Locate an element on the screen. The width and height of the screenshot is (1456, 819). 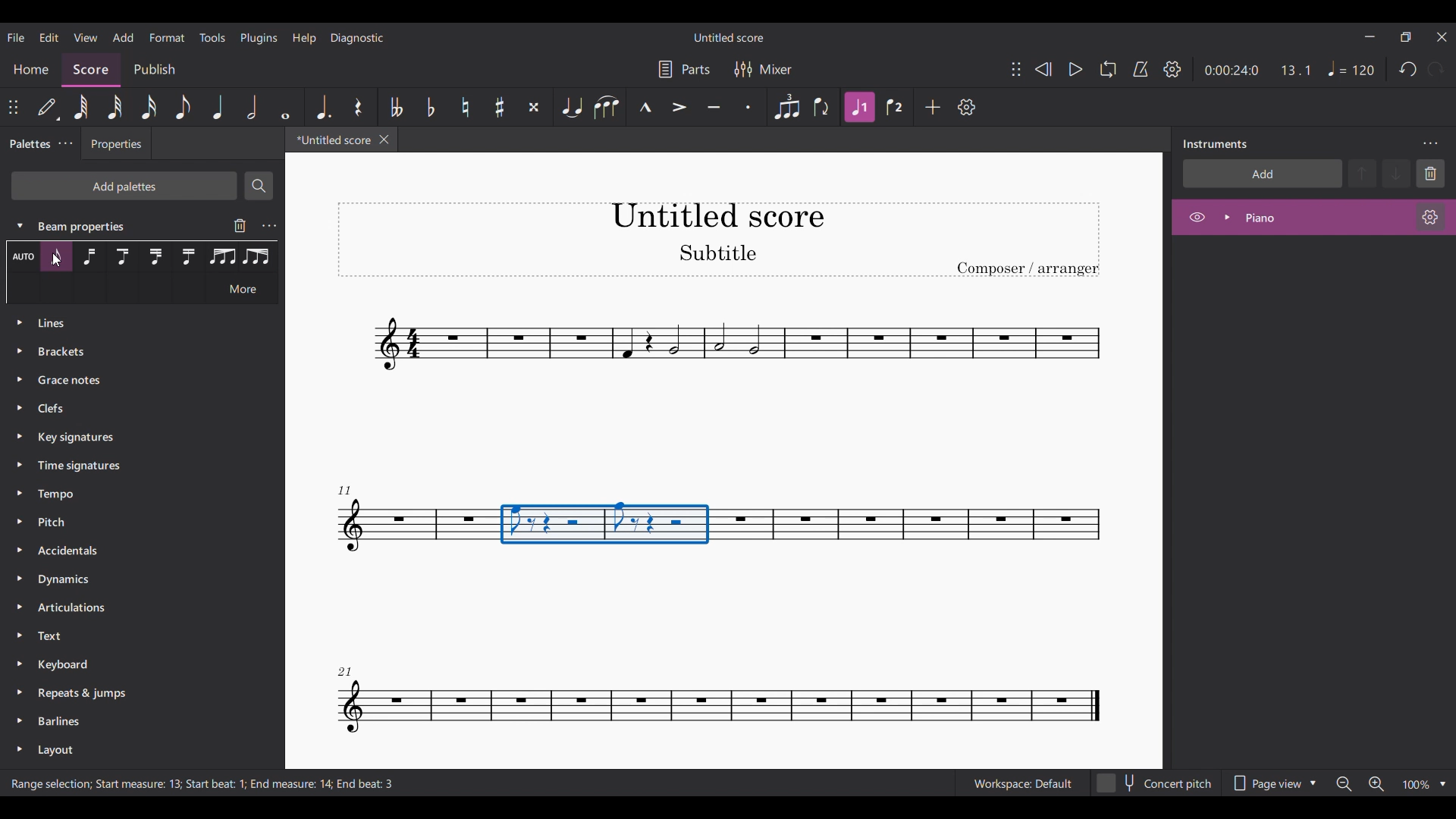
Concert pitch is located at coordinates (1155, 780).